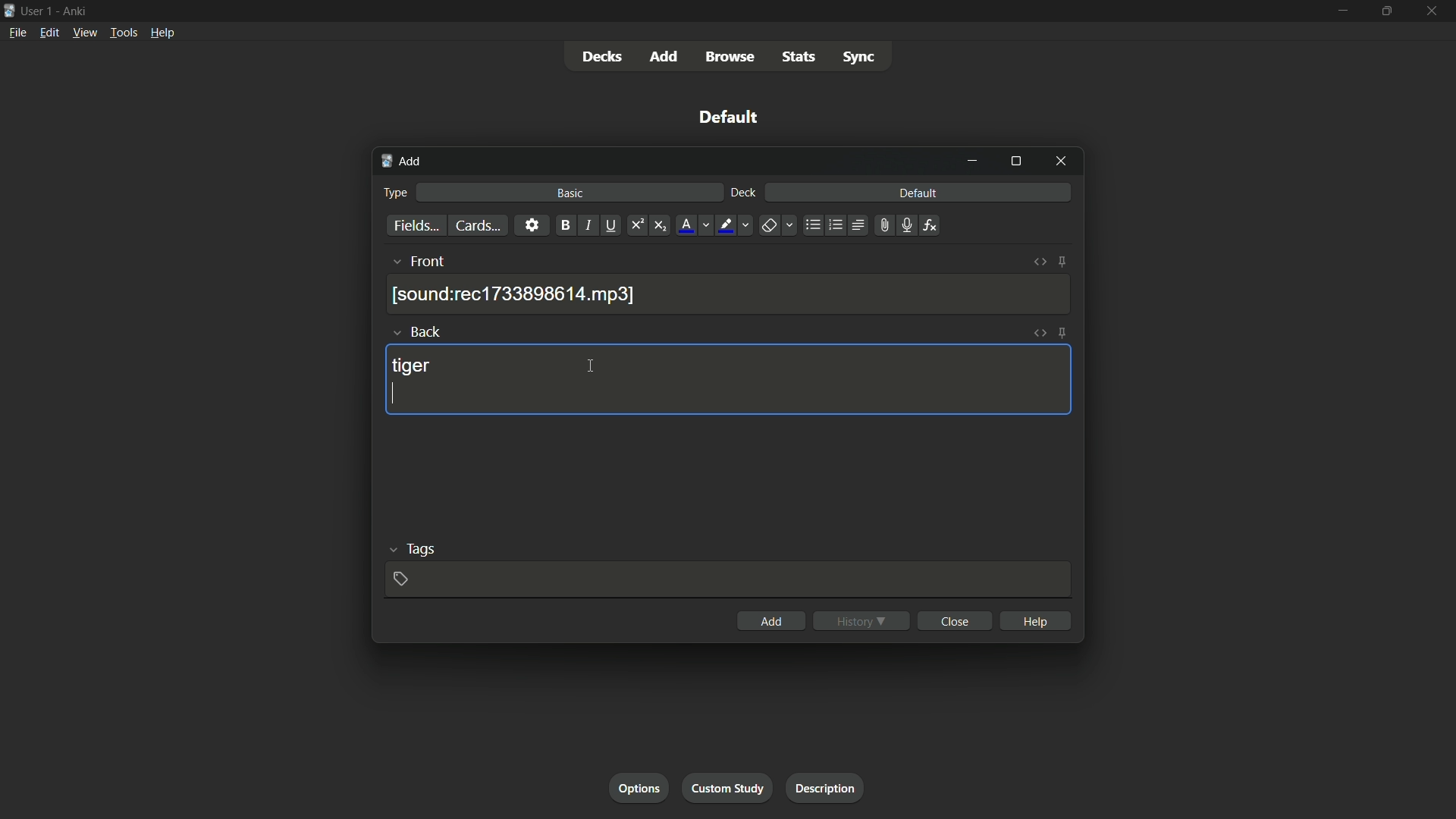 The image size is (1456, 819). Describe the element at coordinates (742, 193) in the screenshot. I see `deck` at that location.